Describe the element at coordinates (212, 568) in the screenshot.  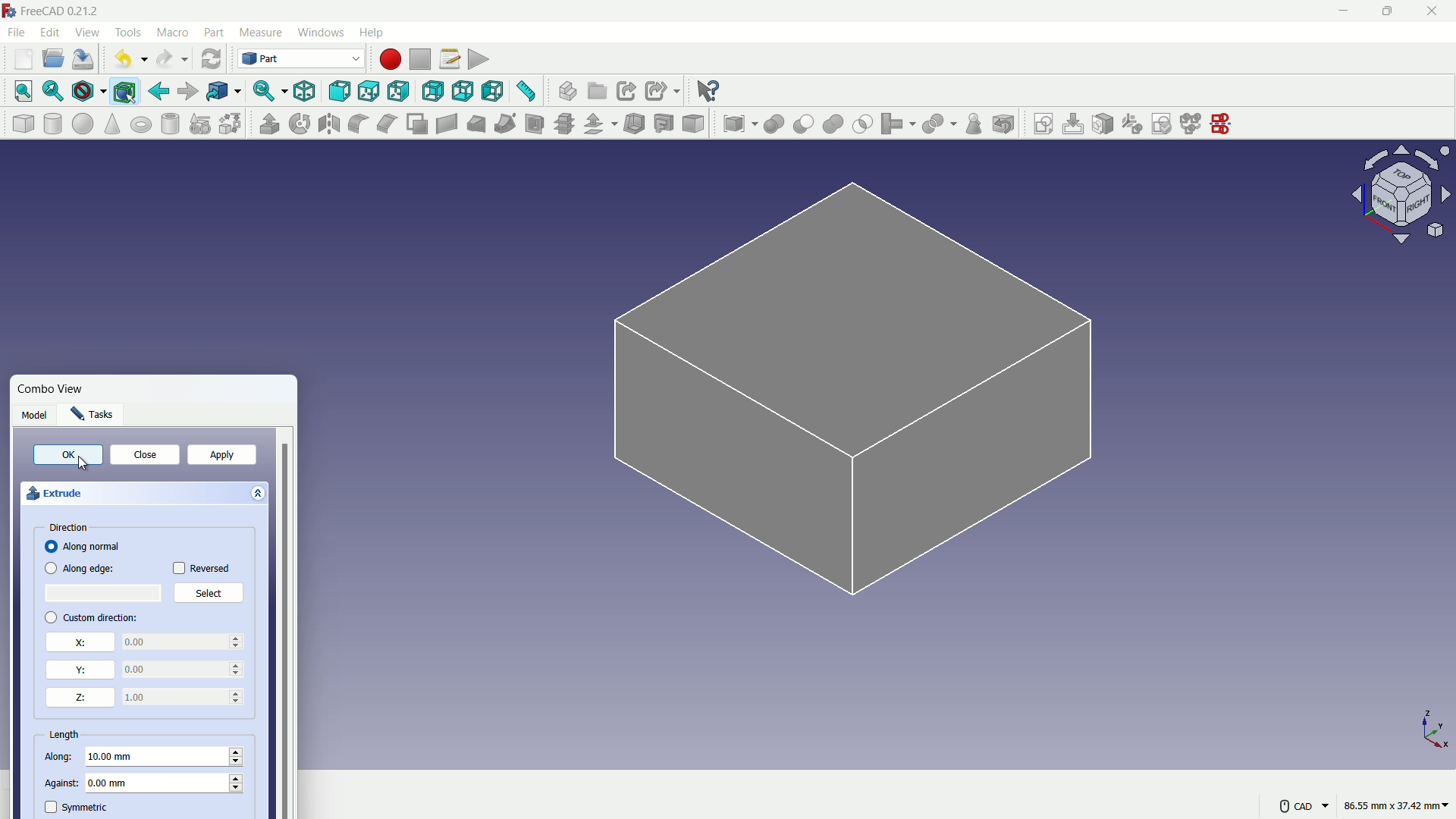
I see `Reversed` at that location.